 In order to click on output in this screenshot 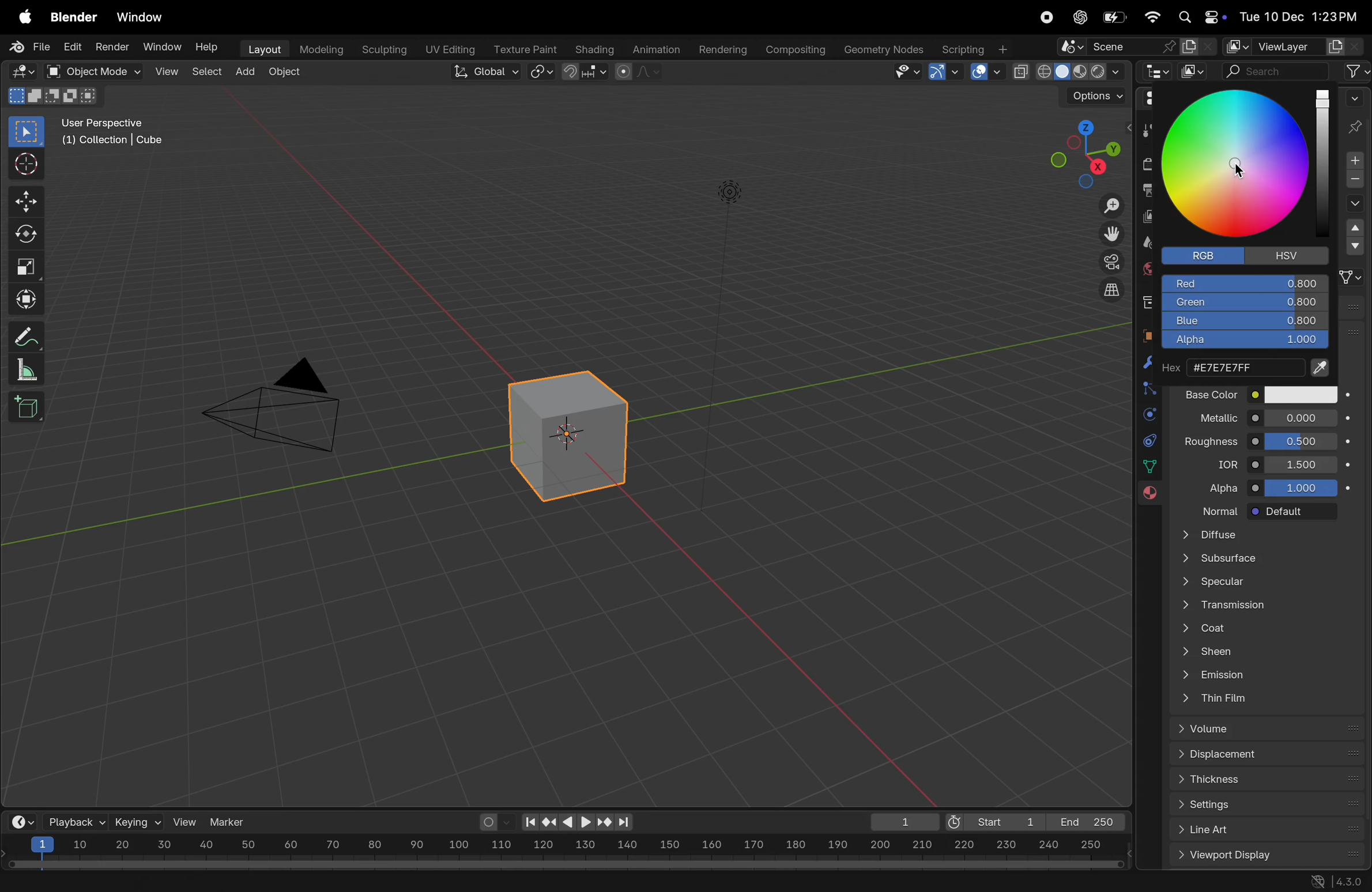, I will do `click(1143, 191)`.